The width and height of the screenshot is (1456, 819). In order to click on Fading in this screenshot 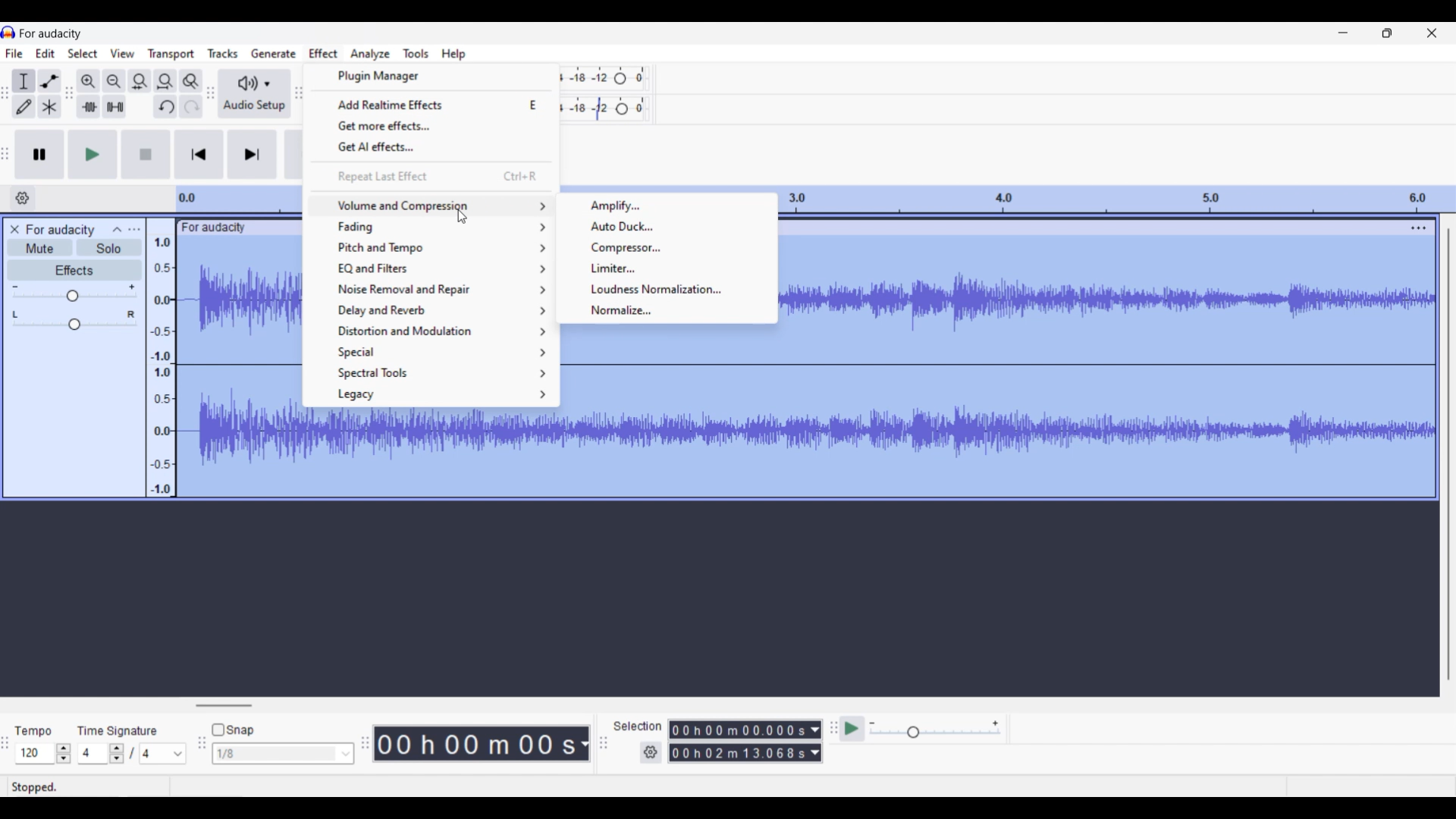, I will do `click(430, 227)`.